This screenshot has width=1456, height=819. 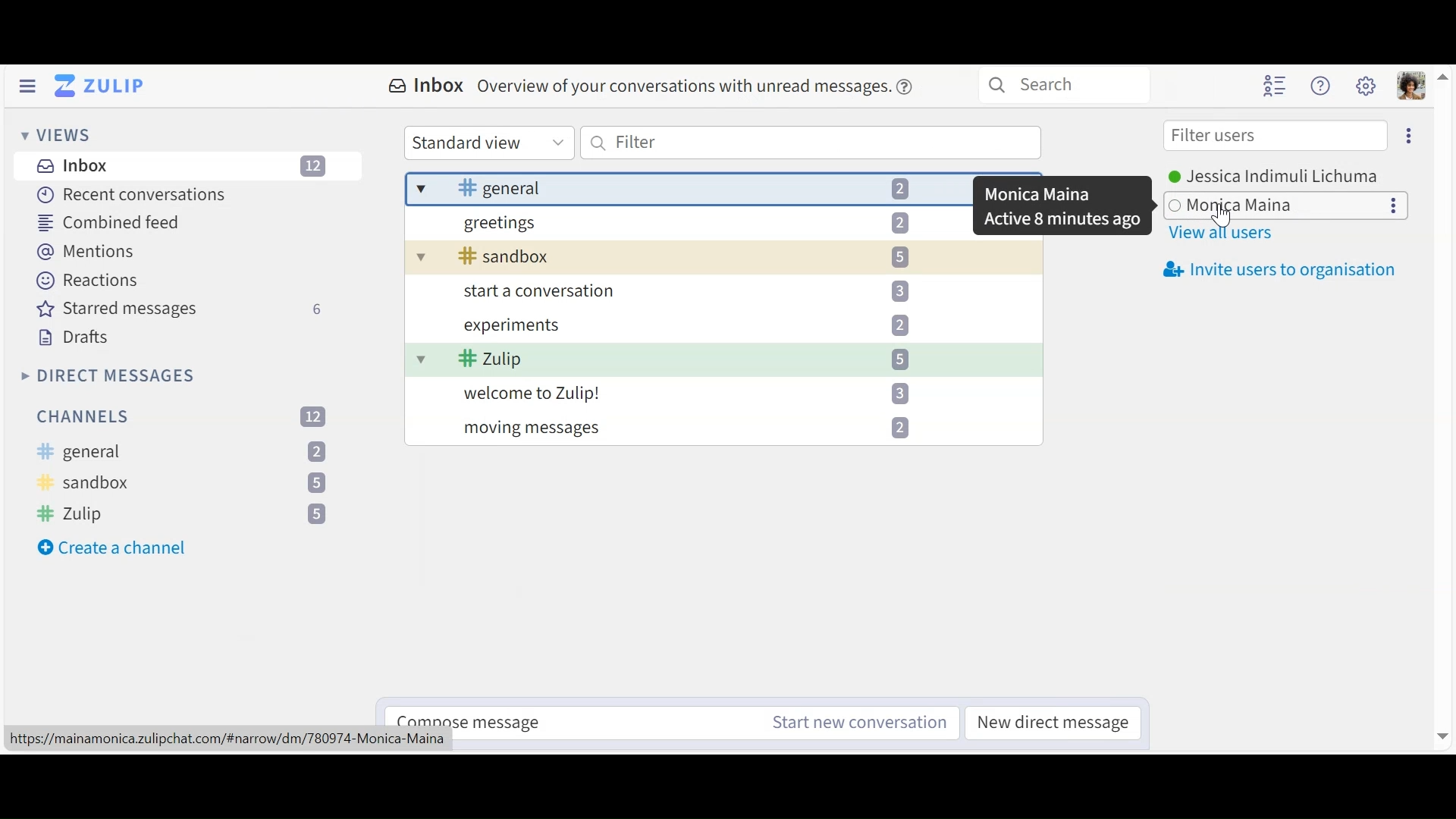 What do you see at coordinates (90, 280) in the screenshot?
I see `Reactions` at bounding box center [90, 280].